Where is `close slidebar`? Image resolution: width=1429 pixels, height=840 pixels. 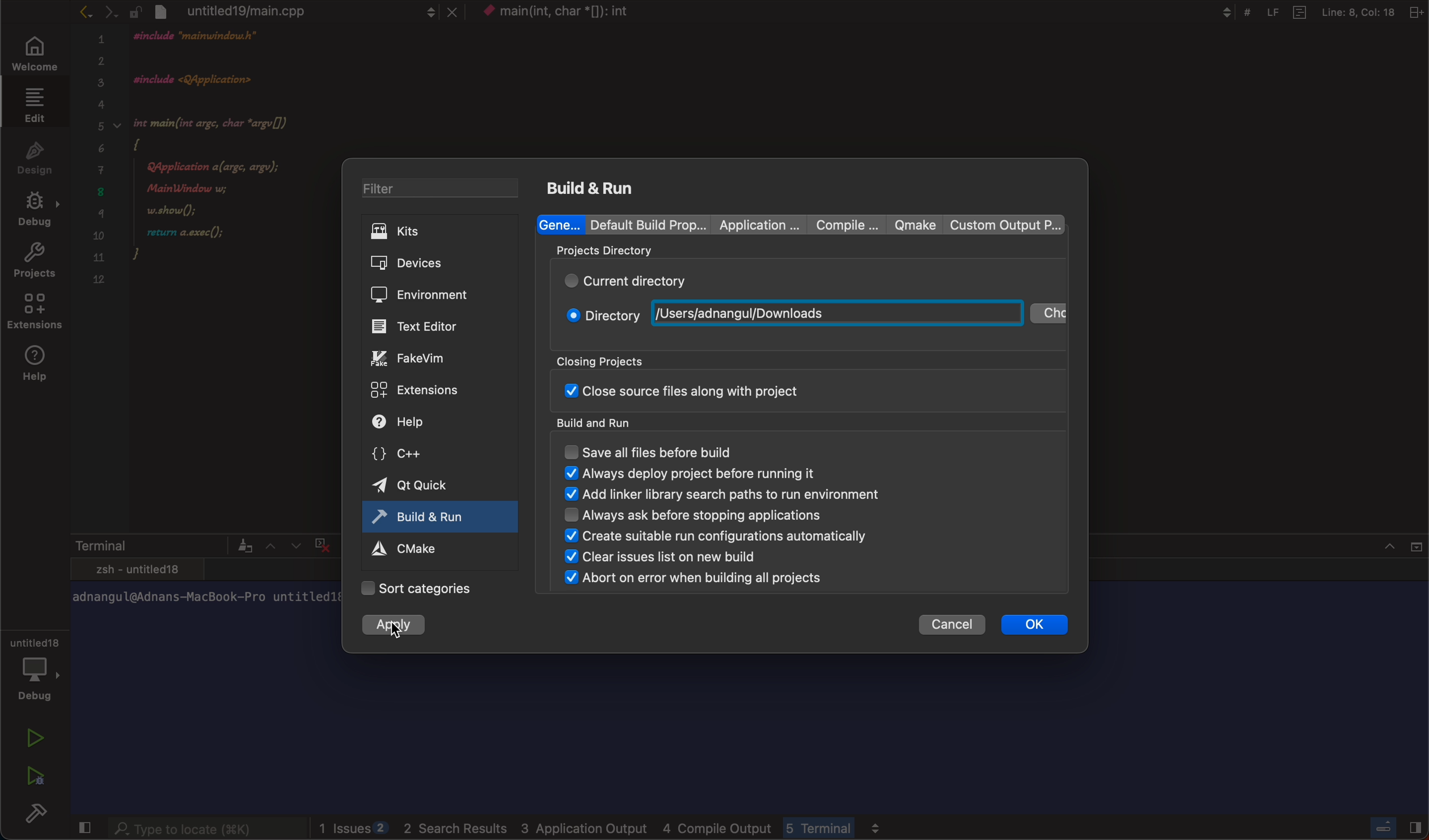 close slidebar is located at coordinates (80, 827).